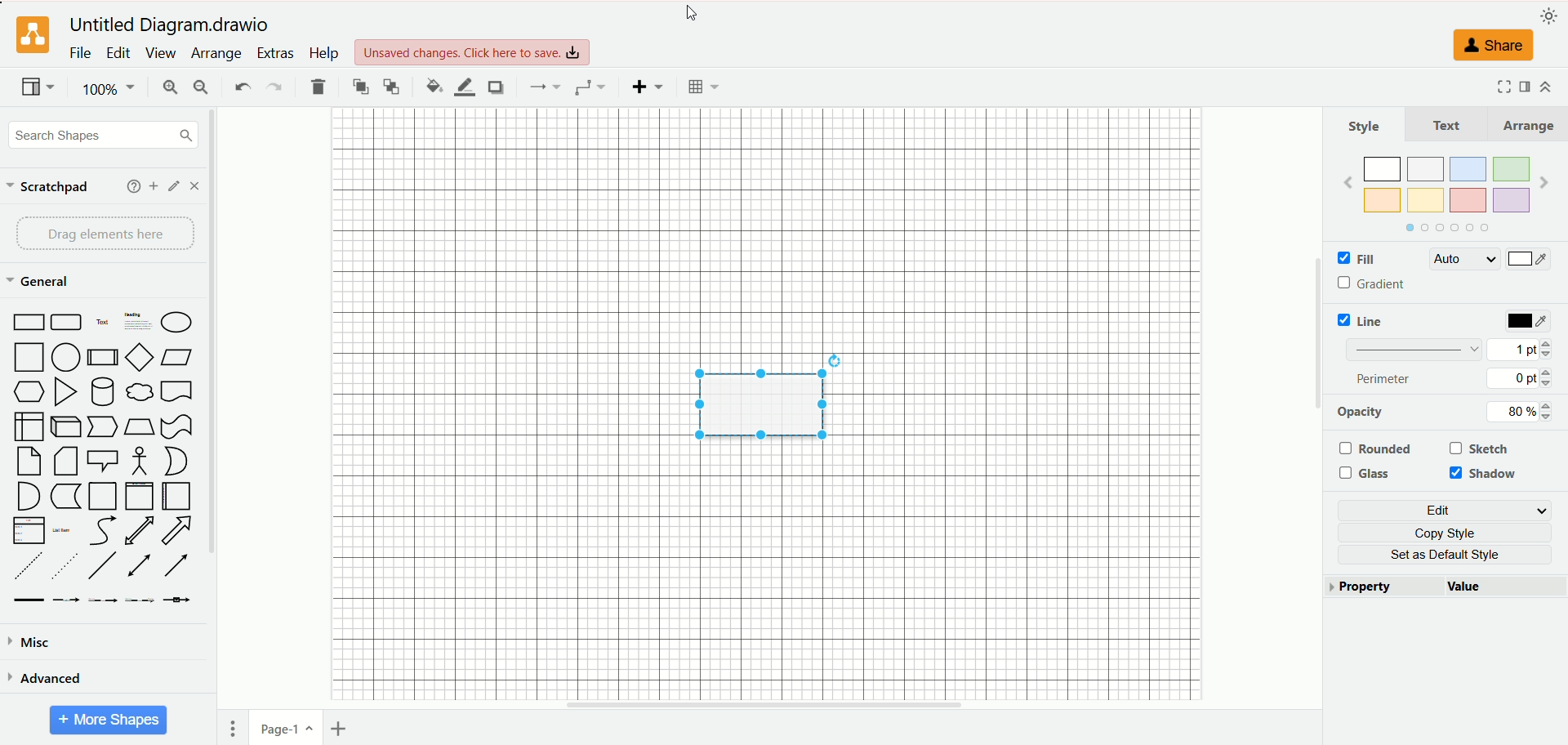 This screenshot has height=745, width=1568. Describe the element at coordinates (241, 85) in the screenshot. I see `undo` at that location.